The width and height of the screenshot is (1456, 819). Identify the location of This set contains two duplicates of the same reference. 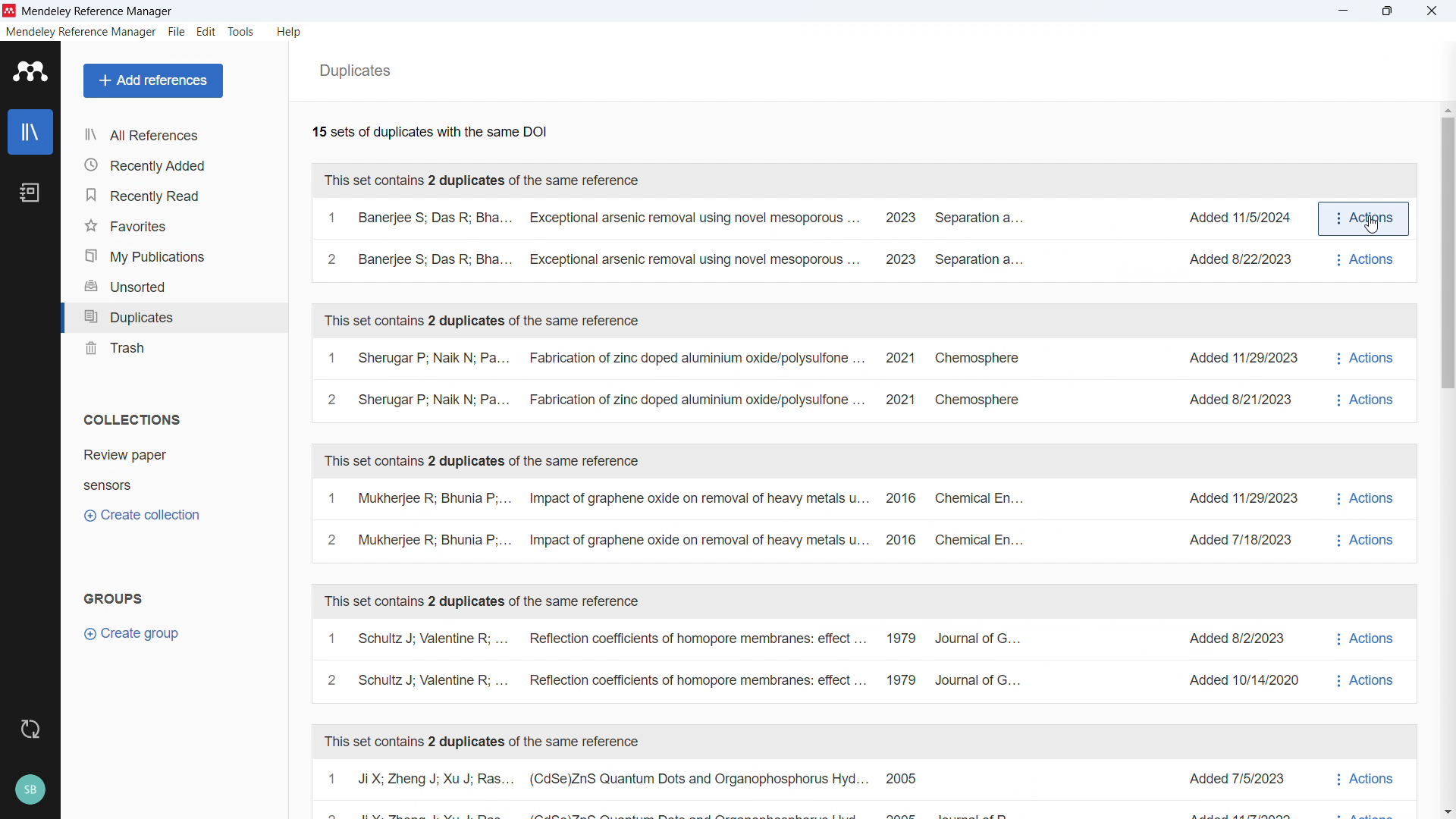
(482, 462).